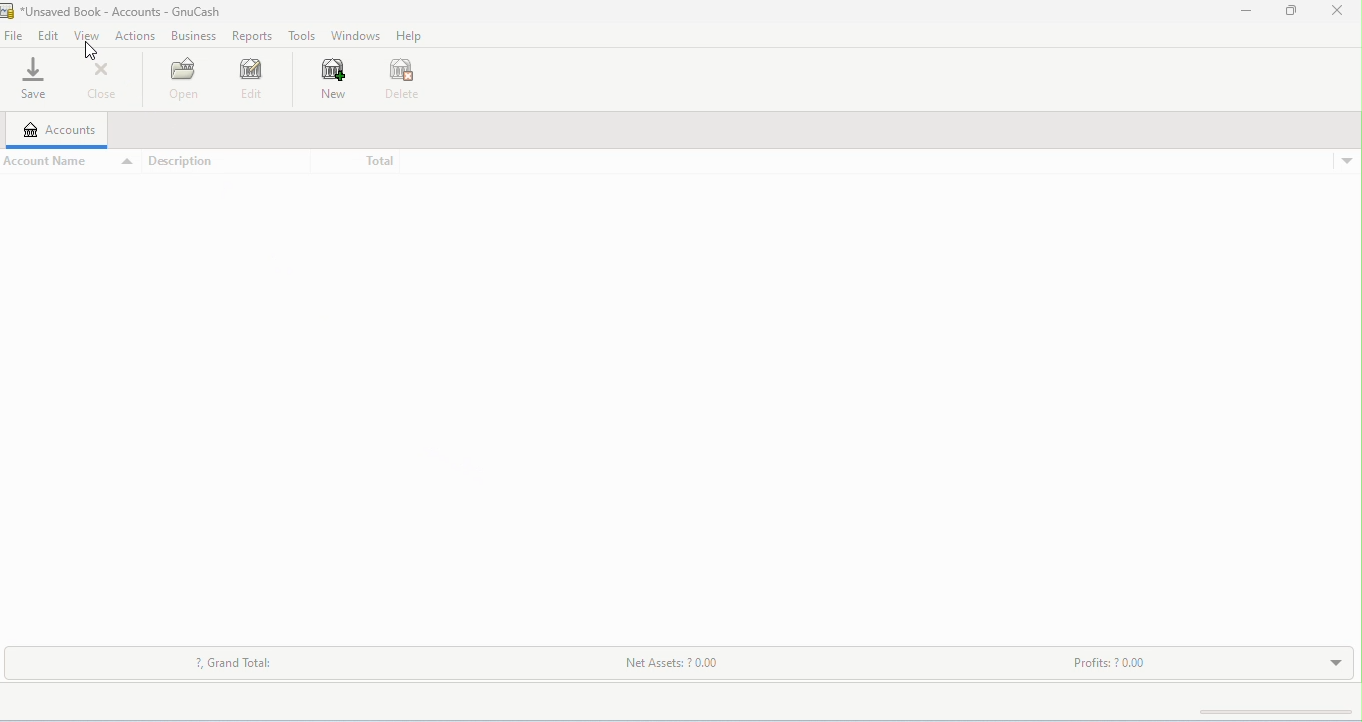 This screenshot has height=722, width=1362. What do you see at coordinates (253, 35) in the screenshot?
I see `reports` at bounding box center [253, 35].